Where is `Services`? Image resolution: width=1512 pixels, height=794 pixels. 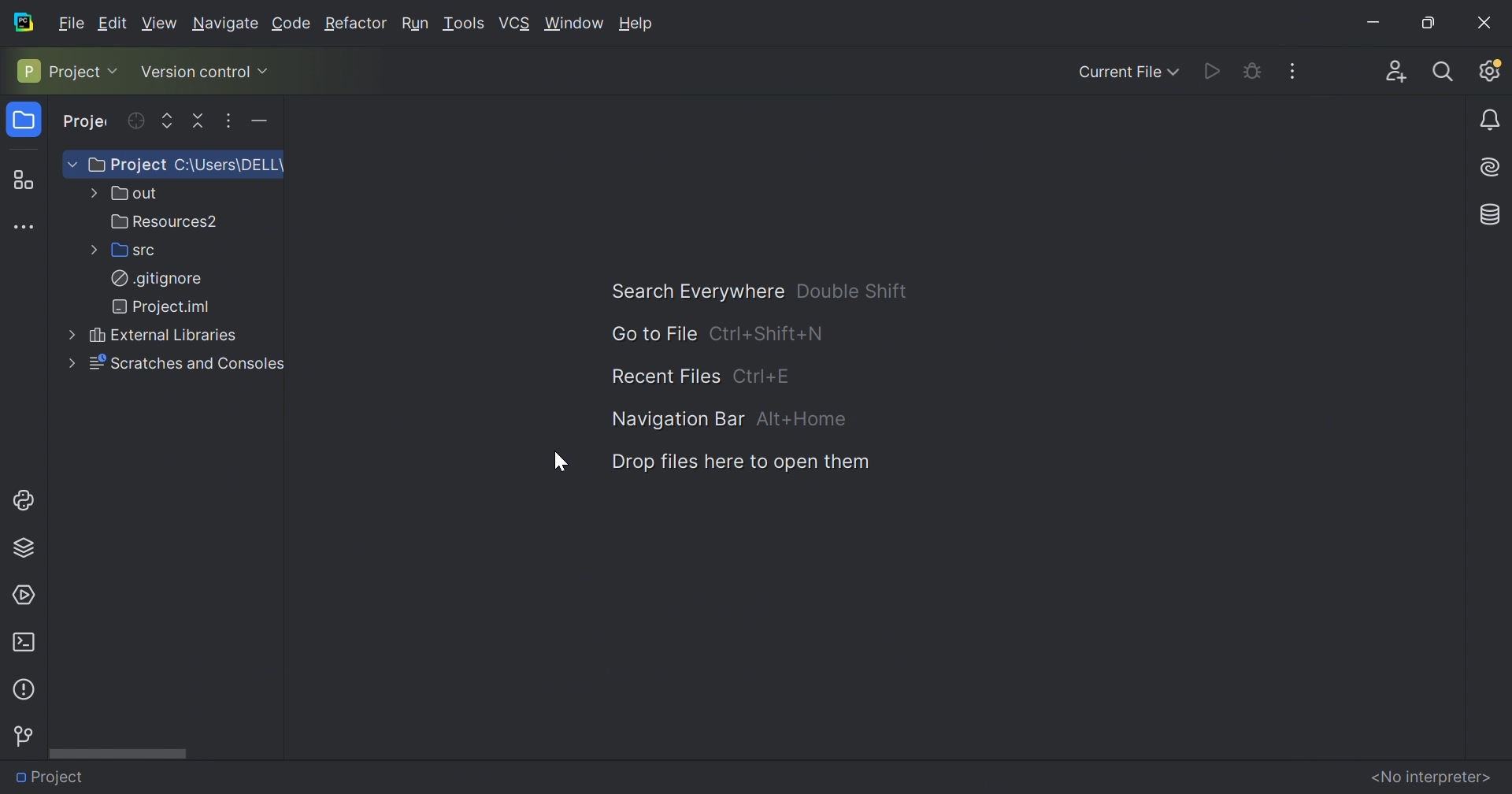 Services is located at coordinates (26, 593).